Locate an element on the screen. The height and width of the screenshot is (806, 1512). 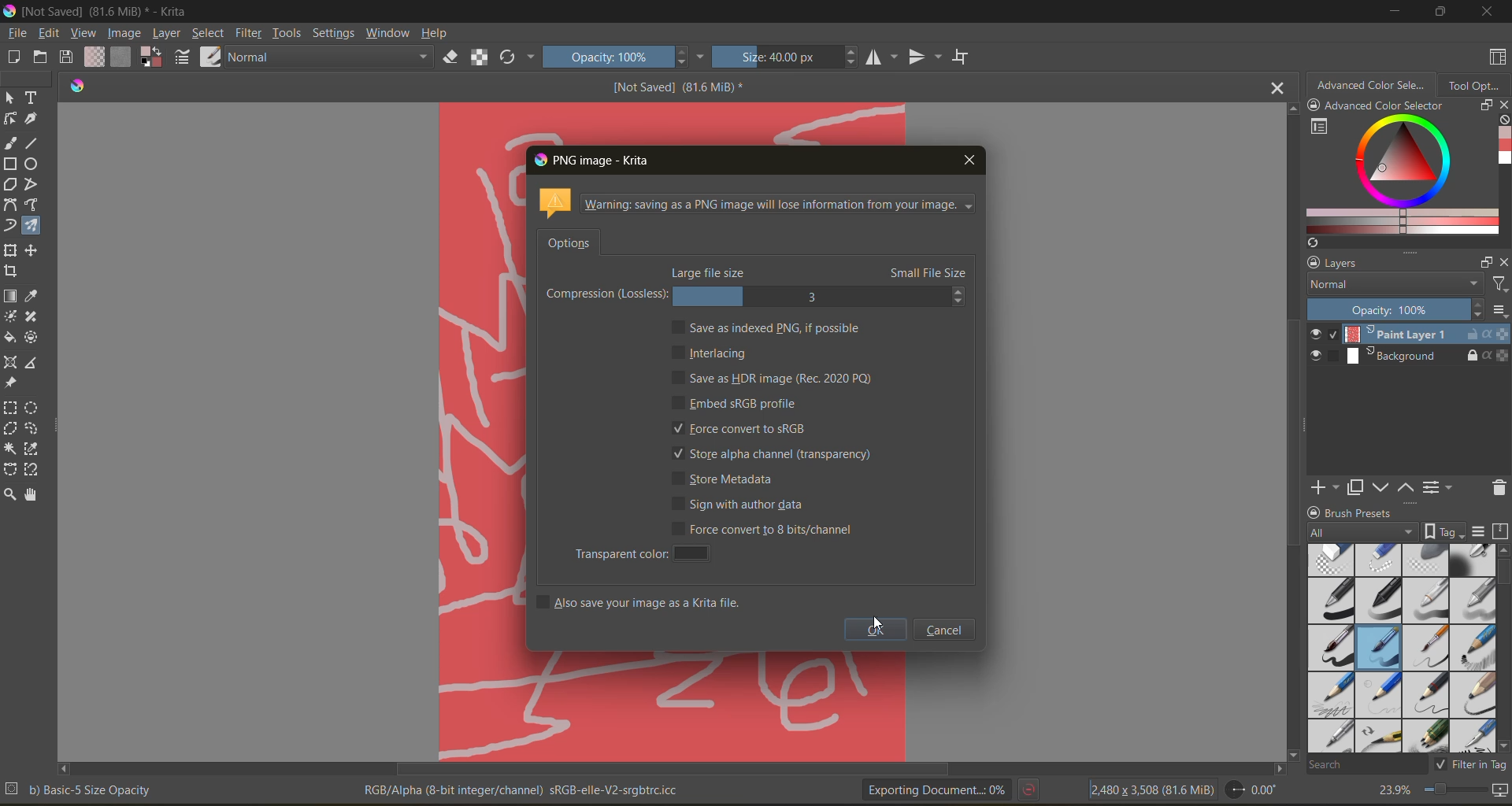
small file size is located at coordinates (932, 273).